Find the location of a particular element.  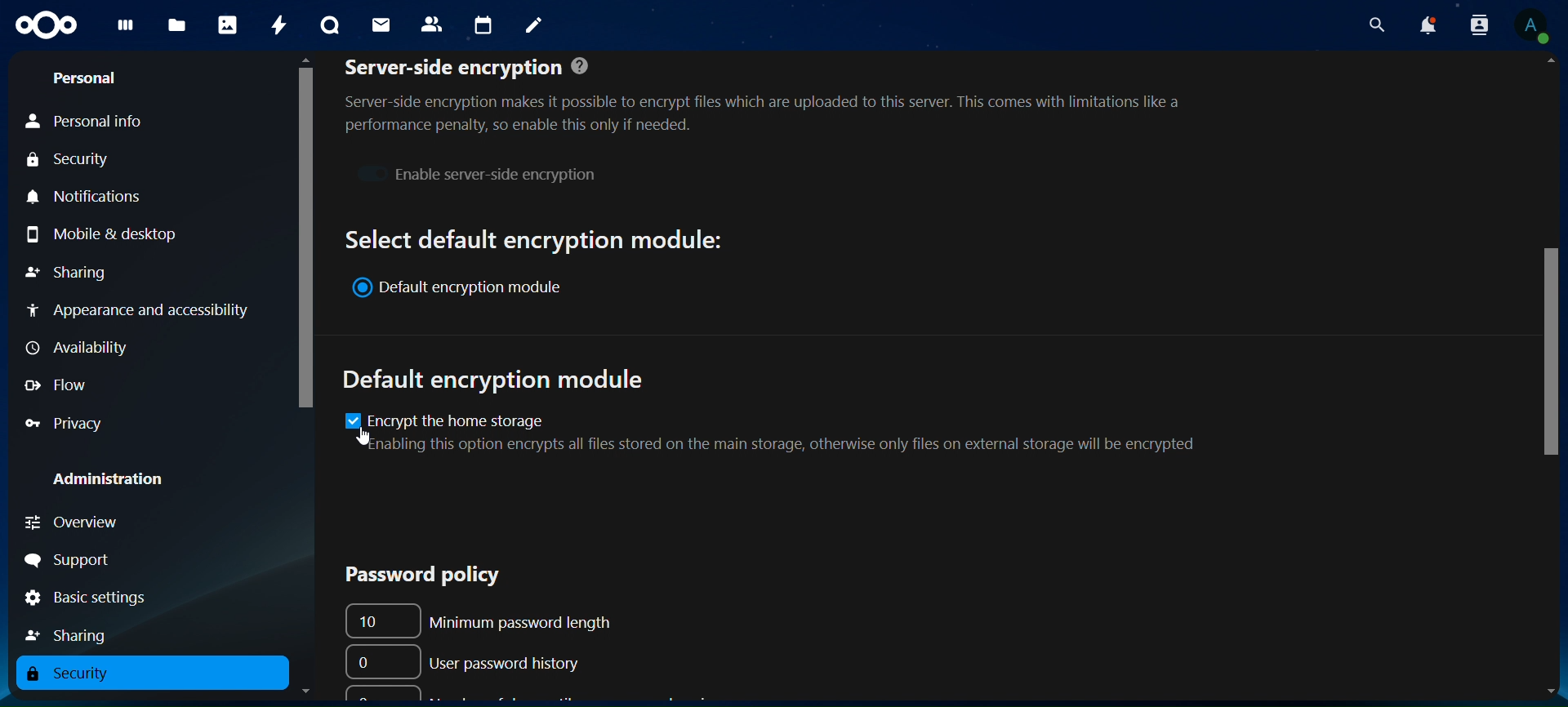

activity is located at coordinates (278, 24).